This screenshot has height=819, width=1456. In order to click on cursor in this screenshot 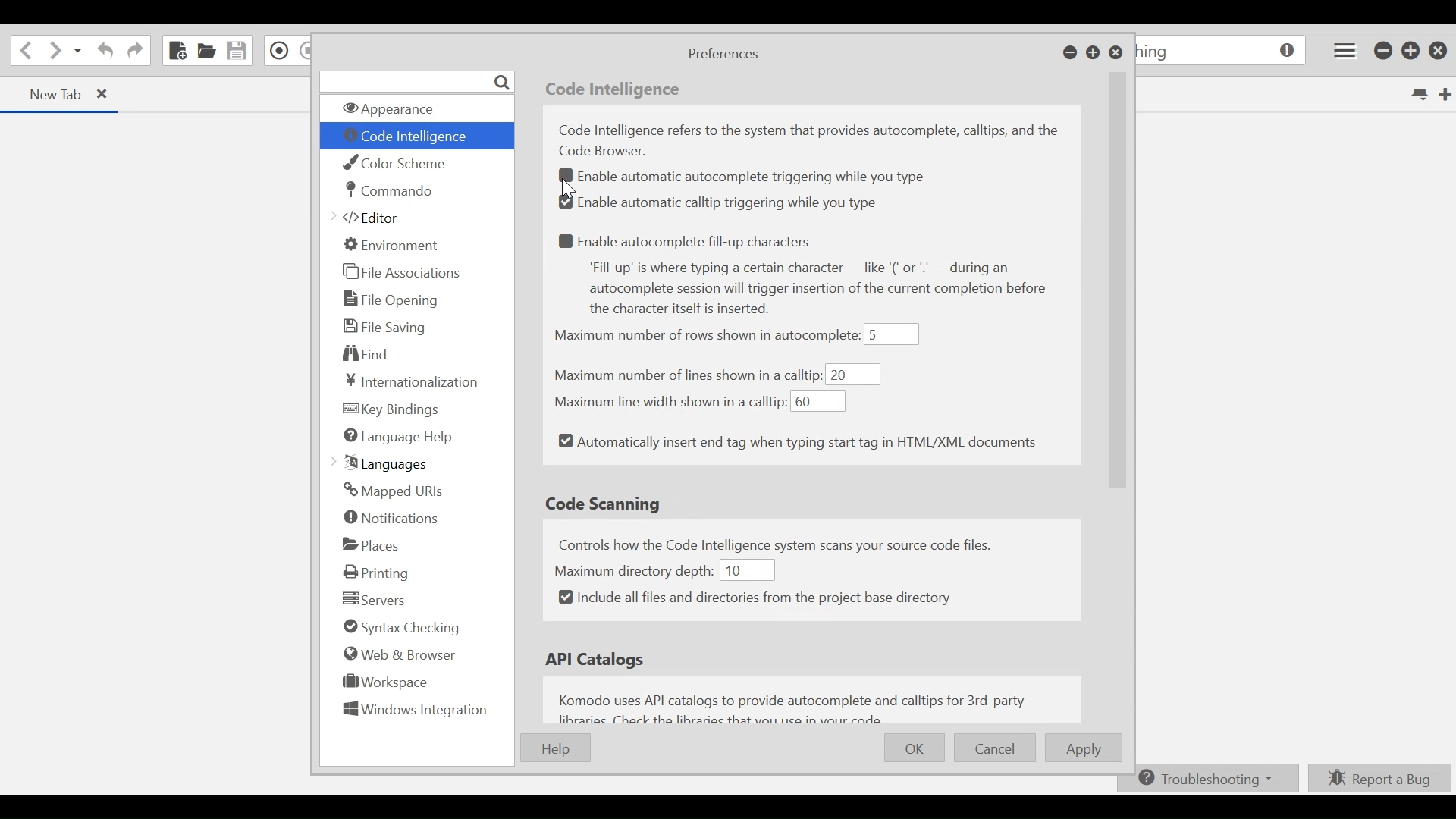, I will do `click(574, 187)`.